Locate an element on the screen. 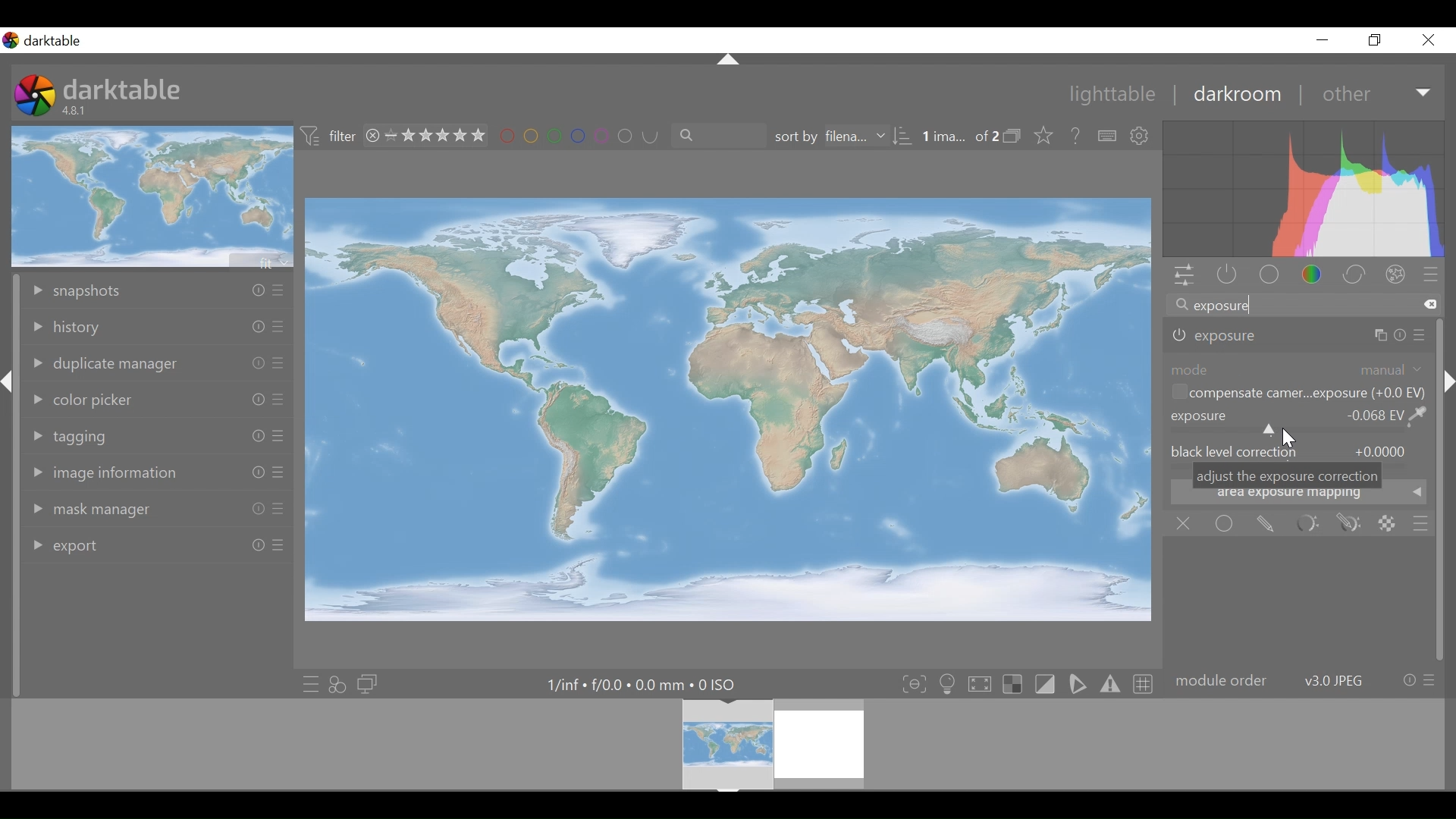 The image size is (1456, 819). hide is located at coordinates (726, 58).